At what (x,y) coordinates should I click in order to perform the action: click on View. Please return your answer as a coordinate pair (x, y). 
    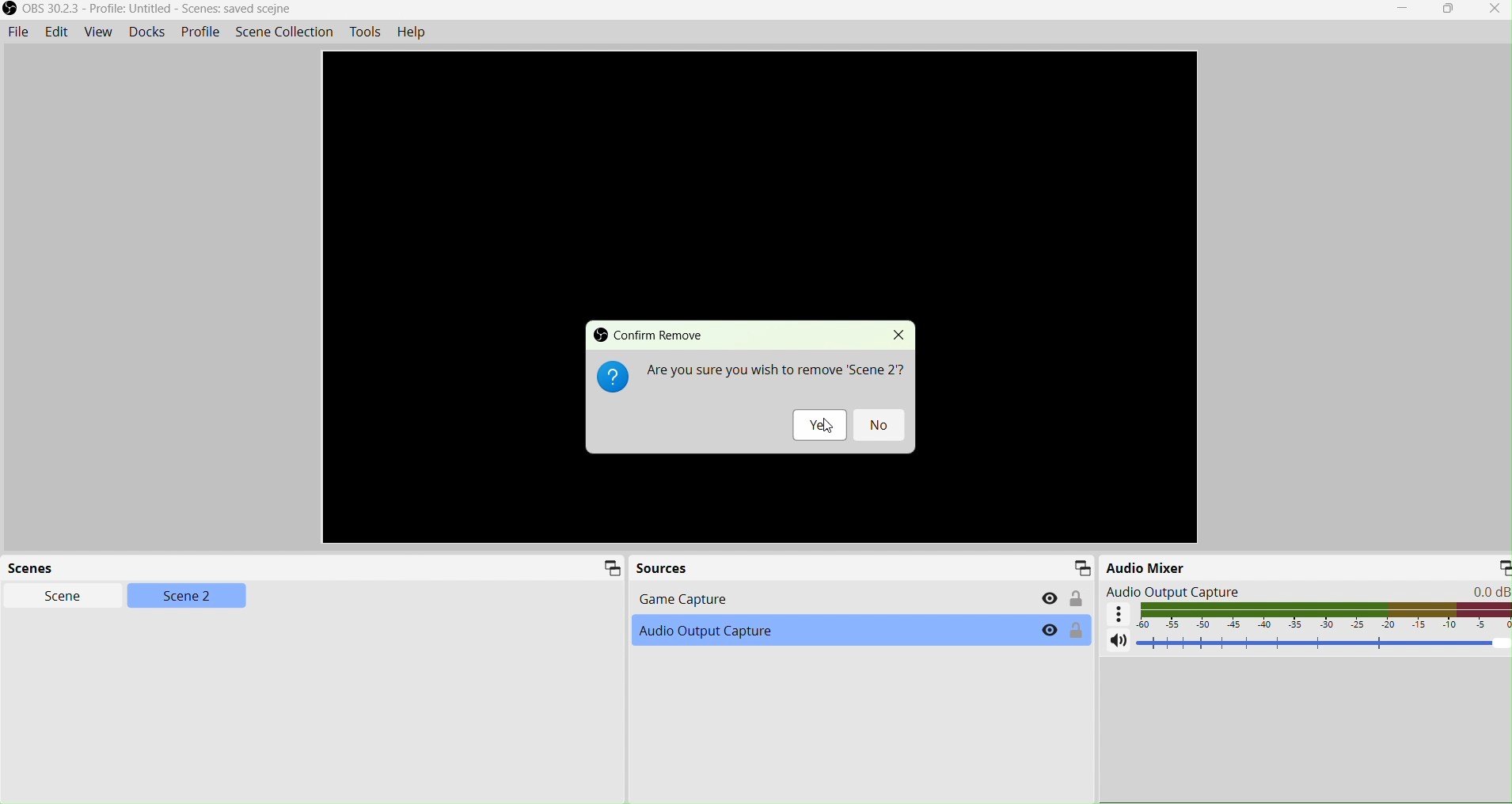
    Looking at the image, I should click on (97, 31).